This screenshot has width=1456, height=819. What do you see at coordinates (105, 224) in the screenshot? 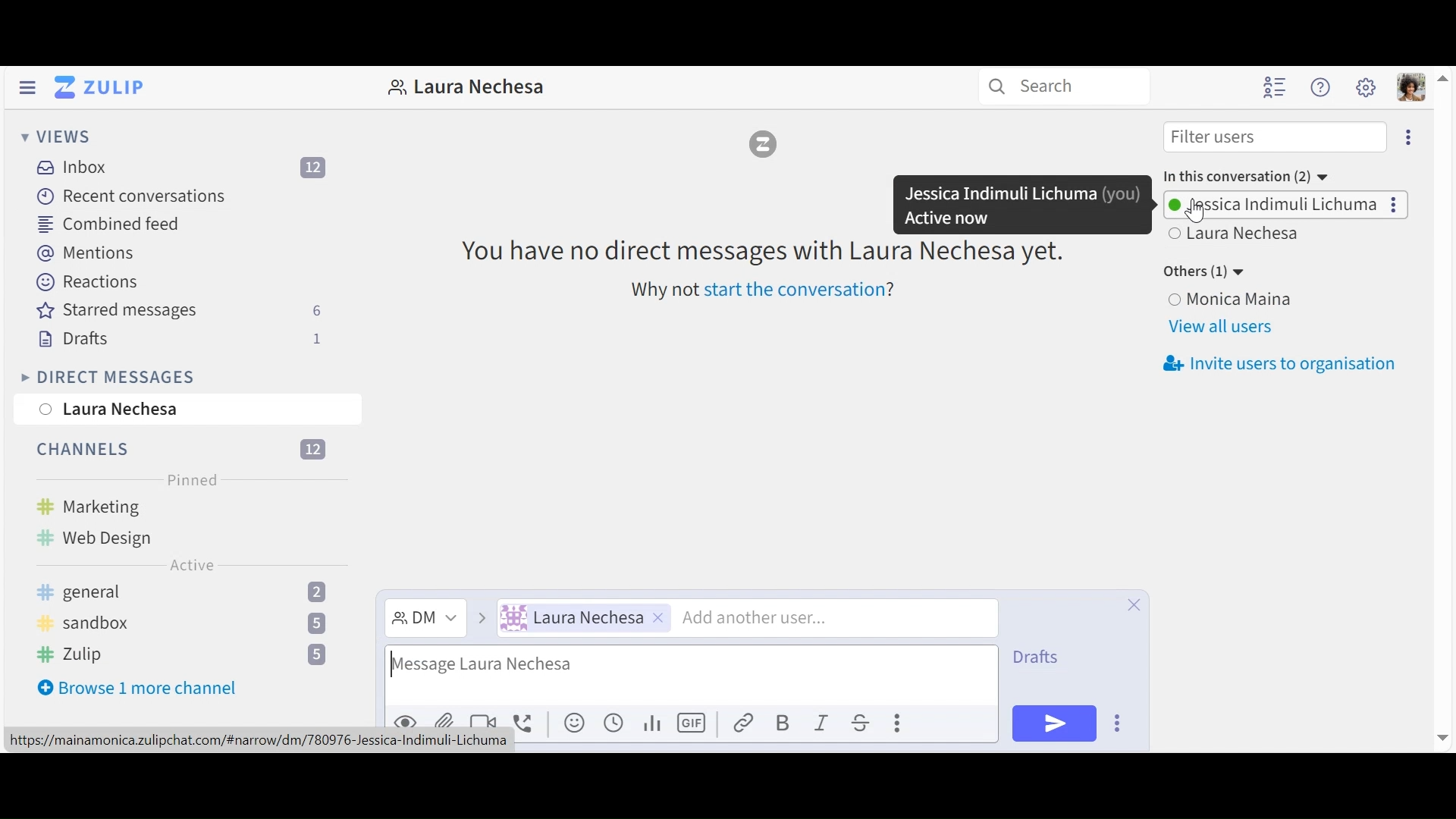
I see `Combined feed` at bounding box center [105, 224].